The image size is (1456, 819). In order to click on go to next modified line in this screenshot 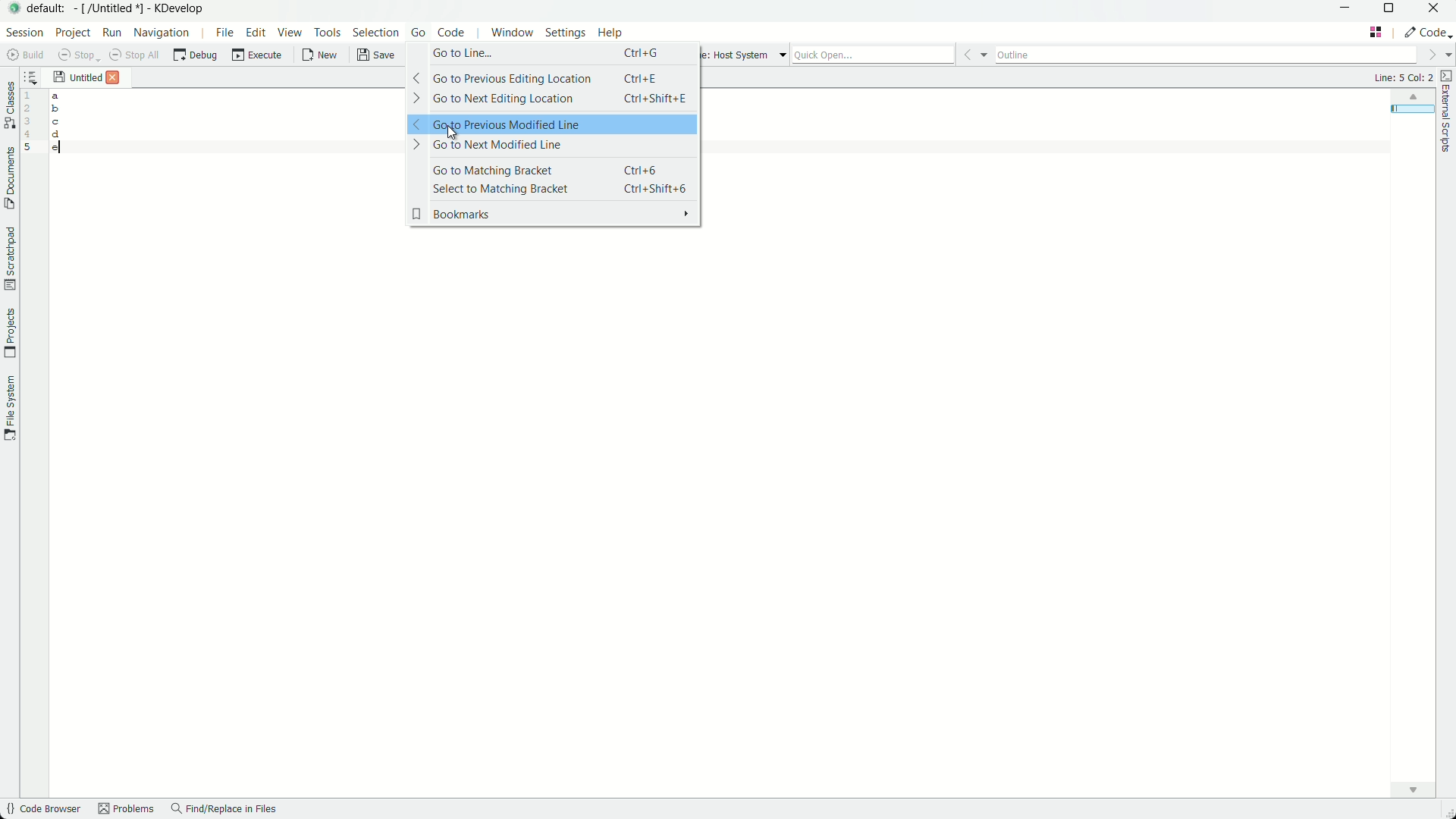, I will do `click(550, 145)`.